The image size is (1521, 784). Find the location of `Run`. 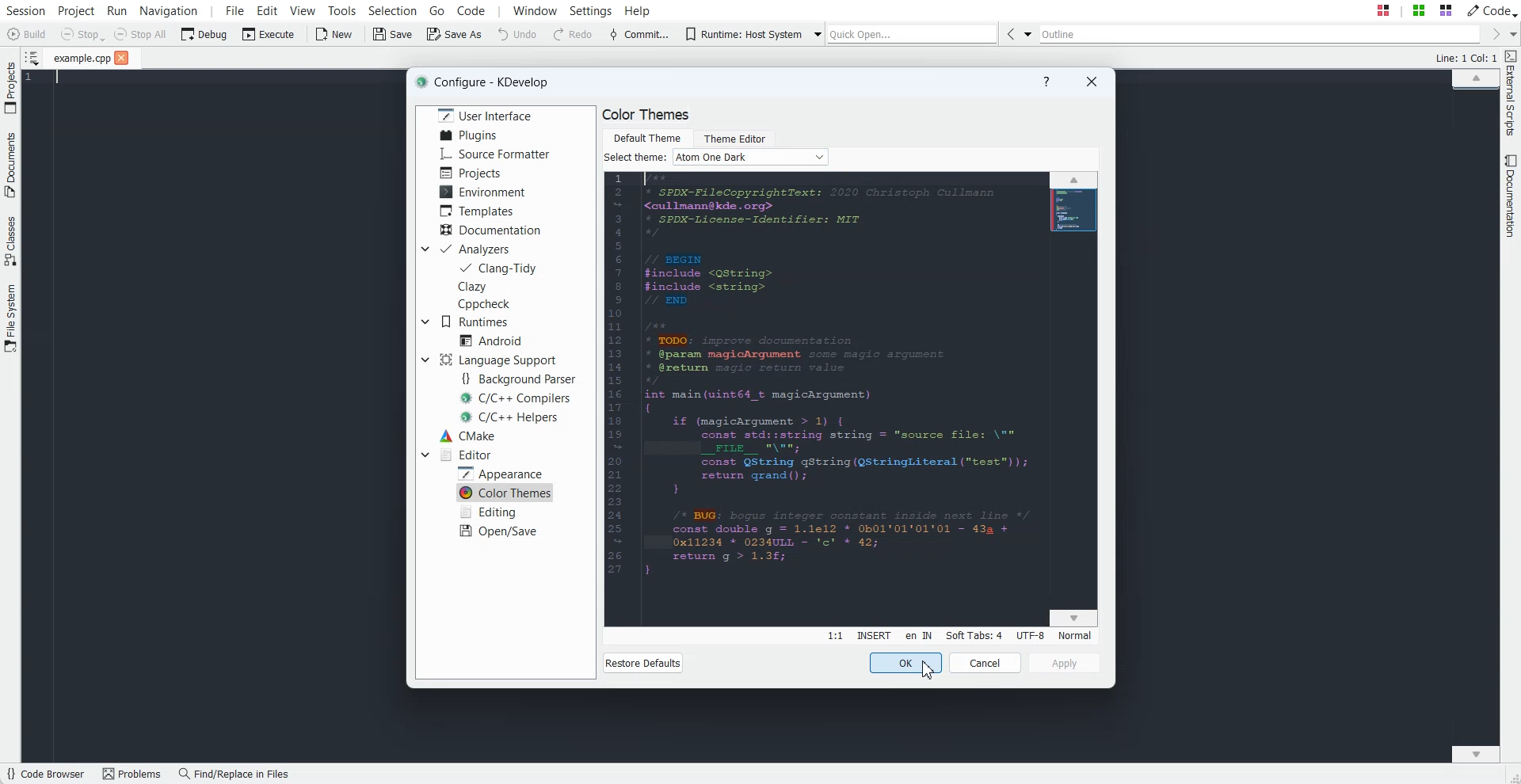

Run is located at coordinates (117, 10).